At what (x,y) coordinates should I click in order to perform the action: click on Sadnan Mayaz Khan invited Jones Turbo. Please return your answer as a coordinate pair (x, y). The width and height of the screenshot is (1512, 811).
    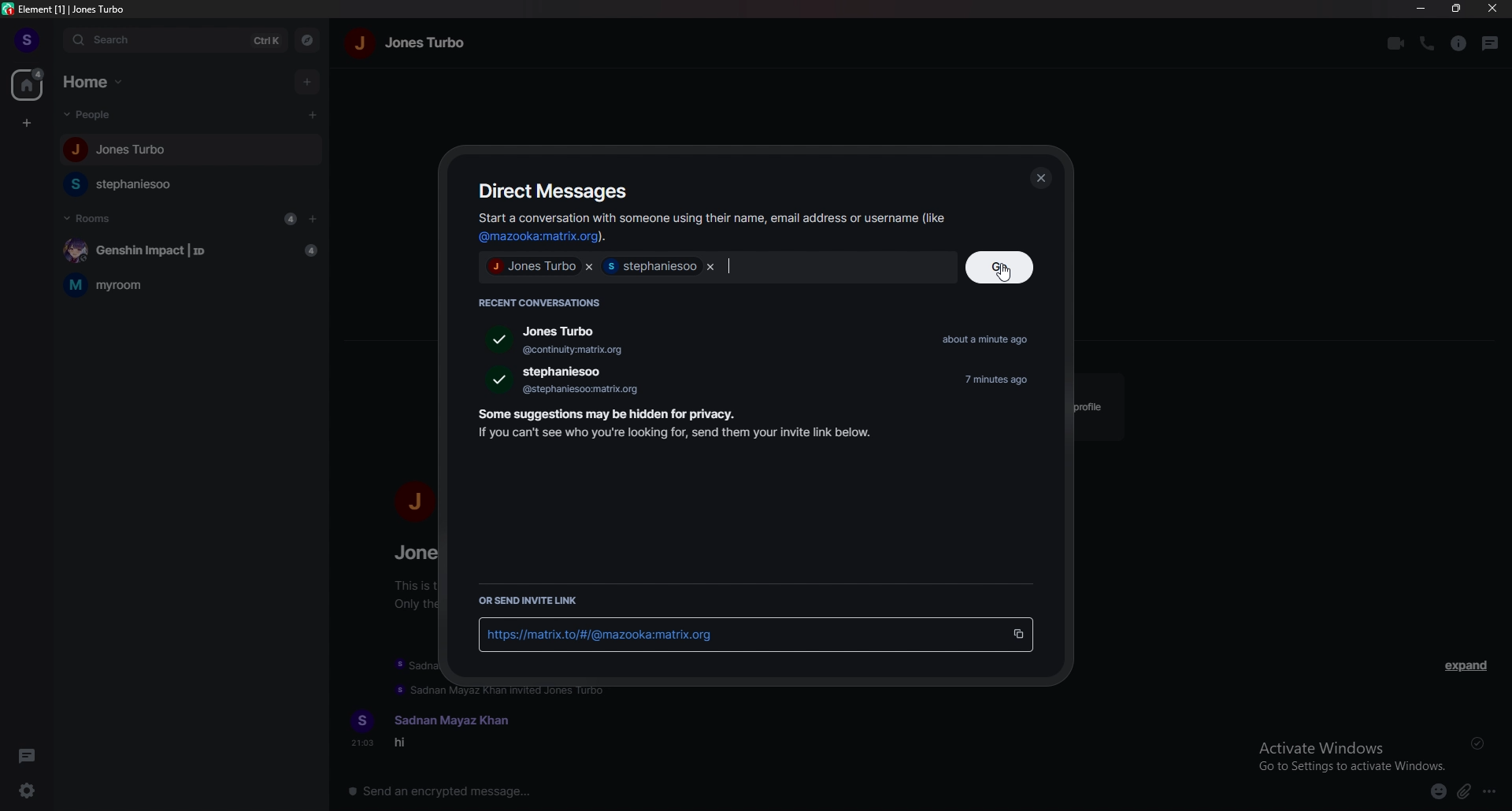
    Looking at the image, I should click on (516, 691).